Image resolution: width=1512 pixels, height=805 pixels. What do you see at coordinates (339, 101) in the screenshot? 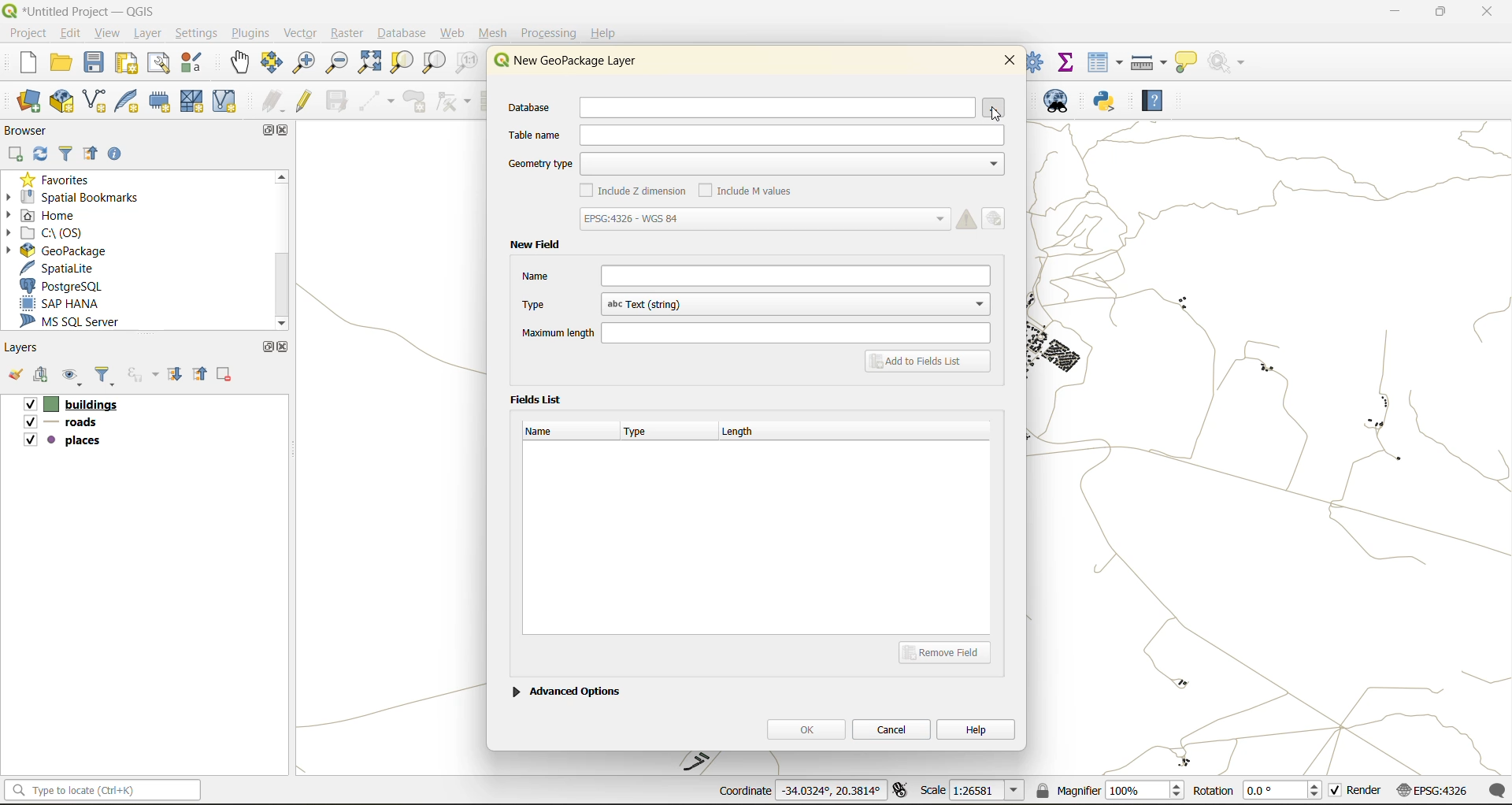
I see `save edits` at bounding box center [339, 101].